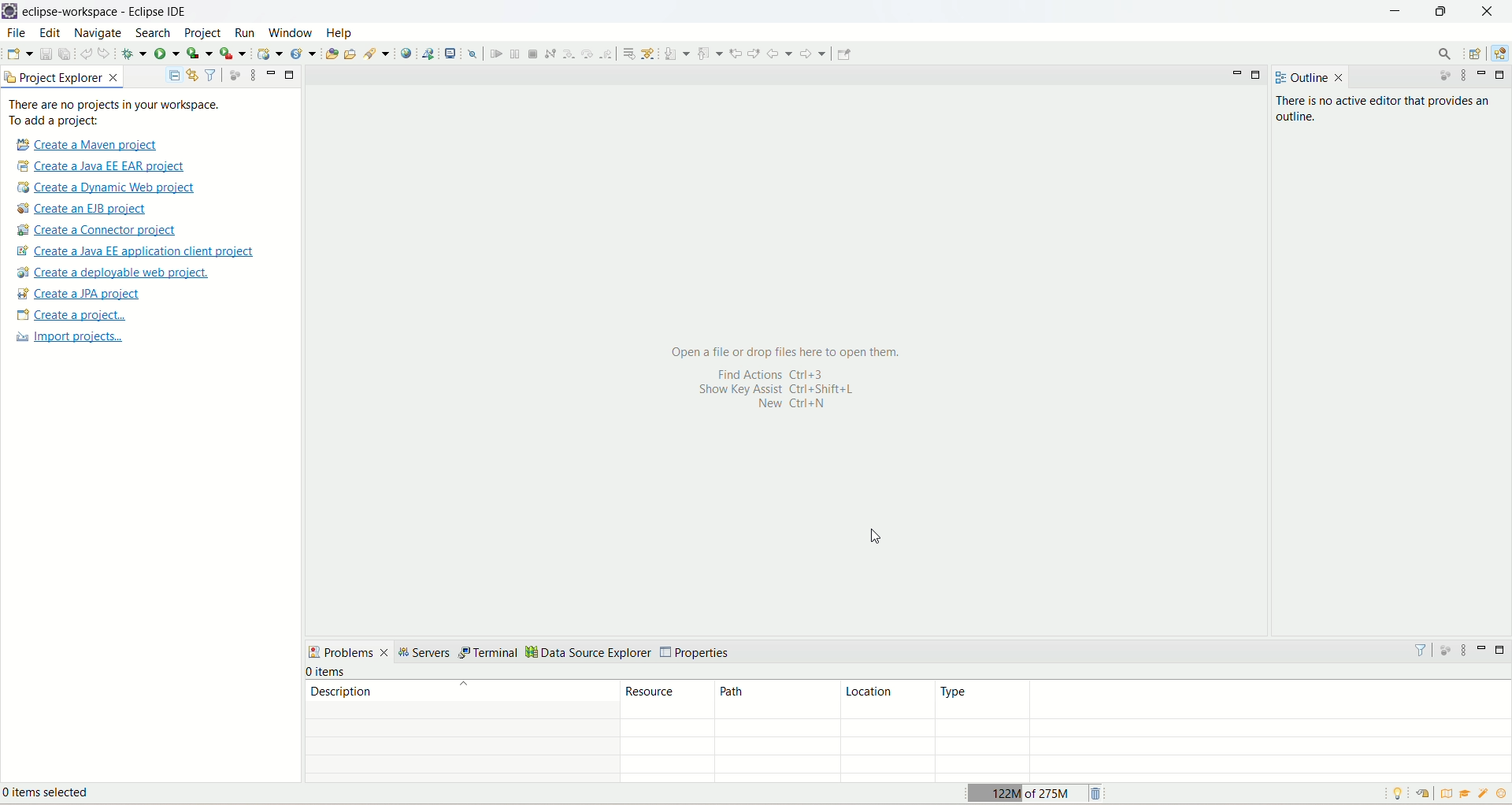  I want to click on launch web service, so click(428, 53).